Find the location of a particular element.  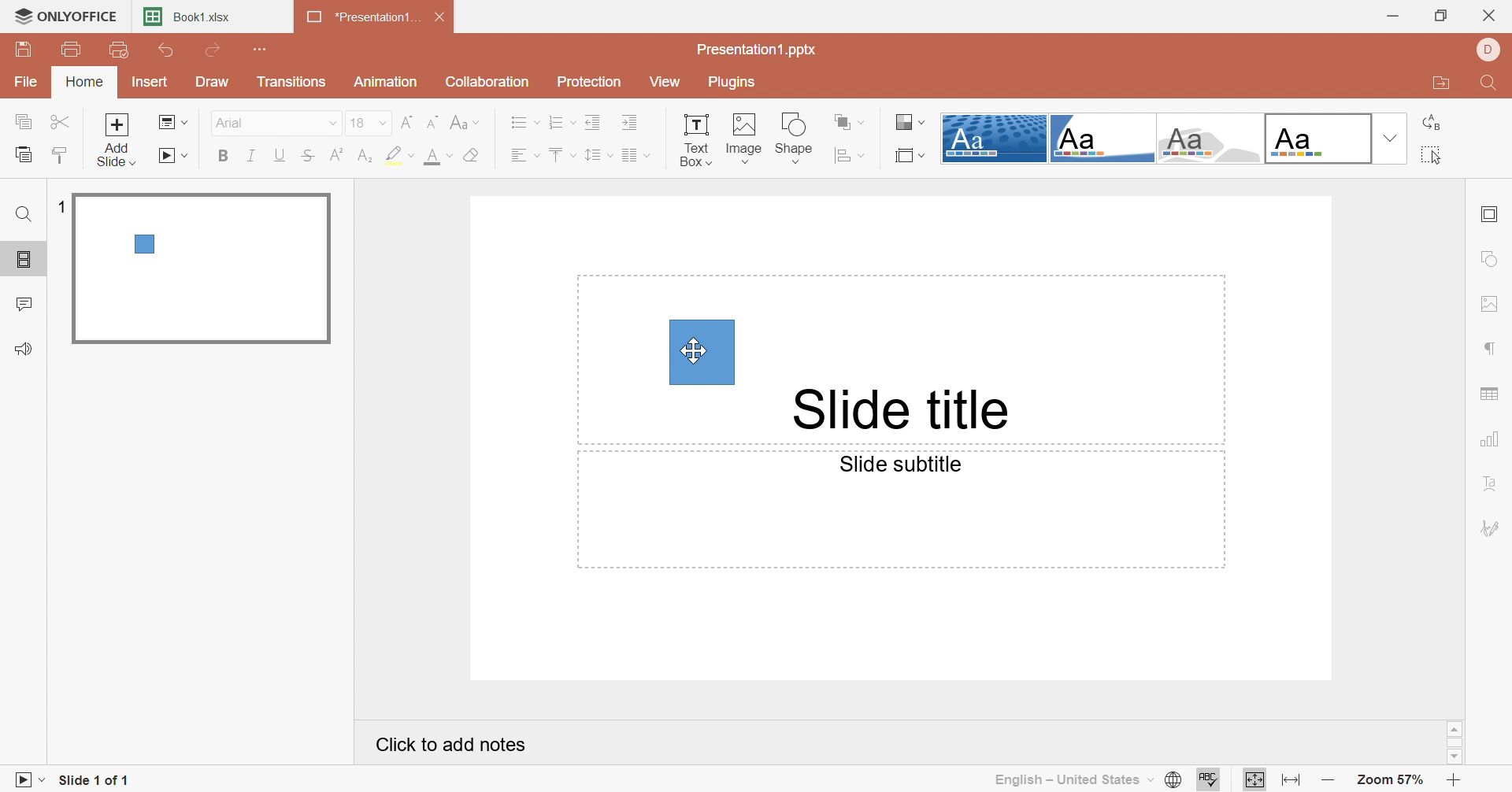

Decrease Indent is located at coordinates (594, 123).